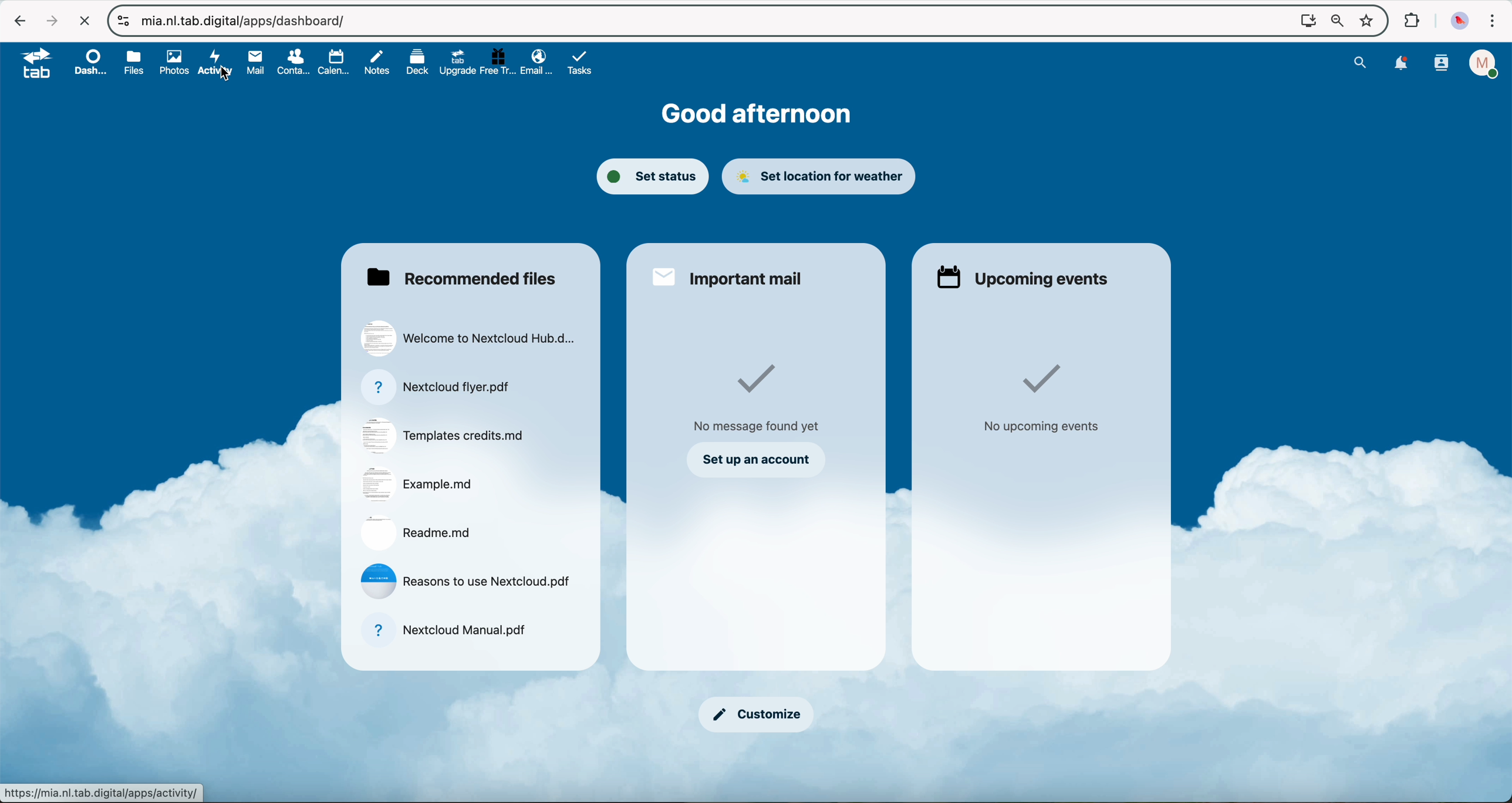  Describe the element at coordinates (497, 63) in the screenshot. I see `free trial` at that location.